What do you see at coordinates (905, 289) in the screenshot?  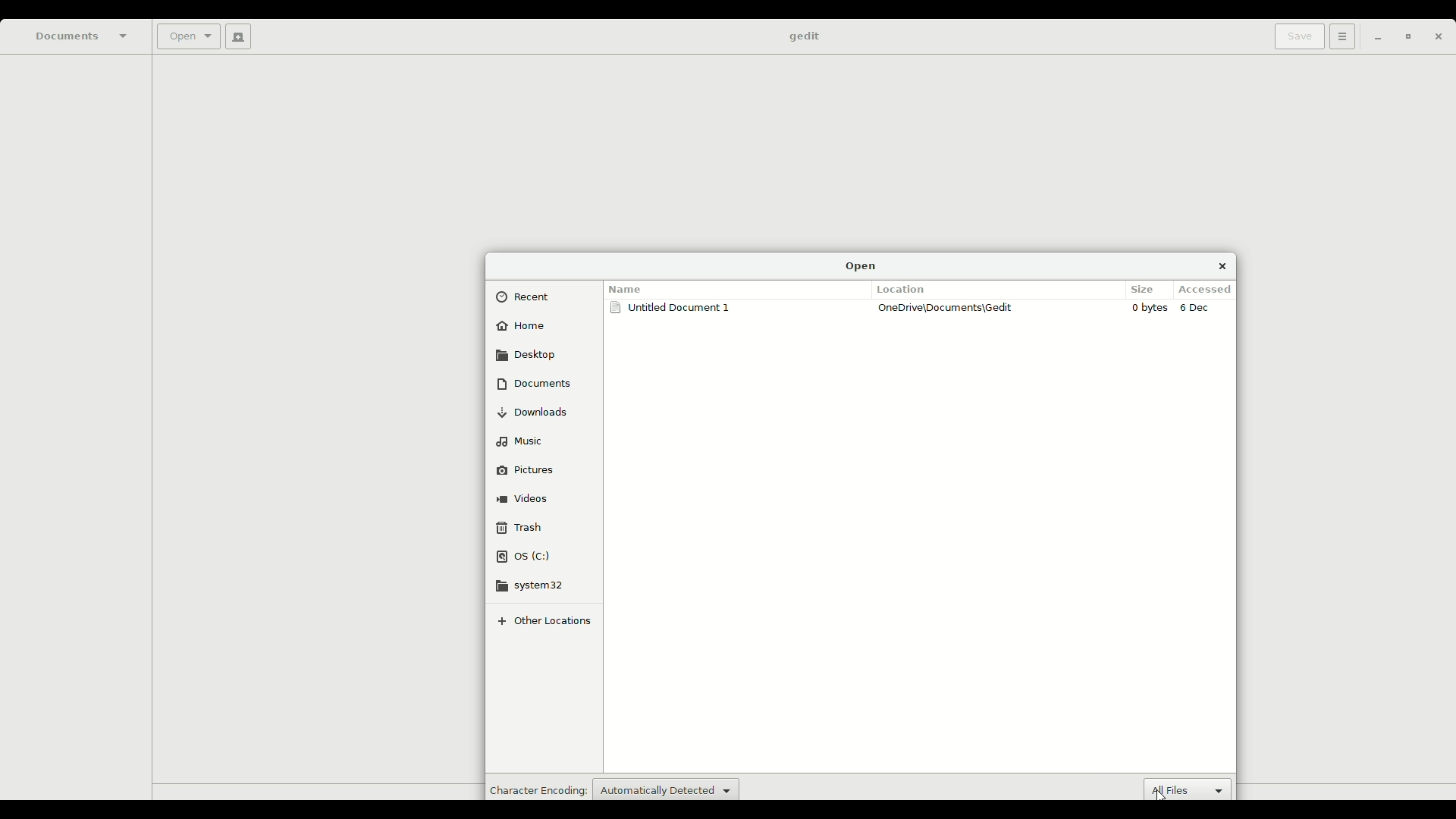 I see `Location` at bounding box center [905, 289].